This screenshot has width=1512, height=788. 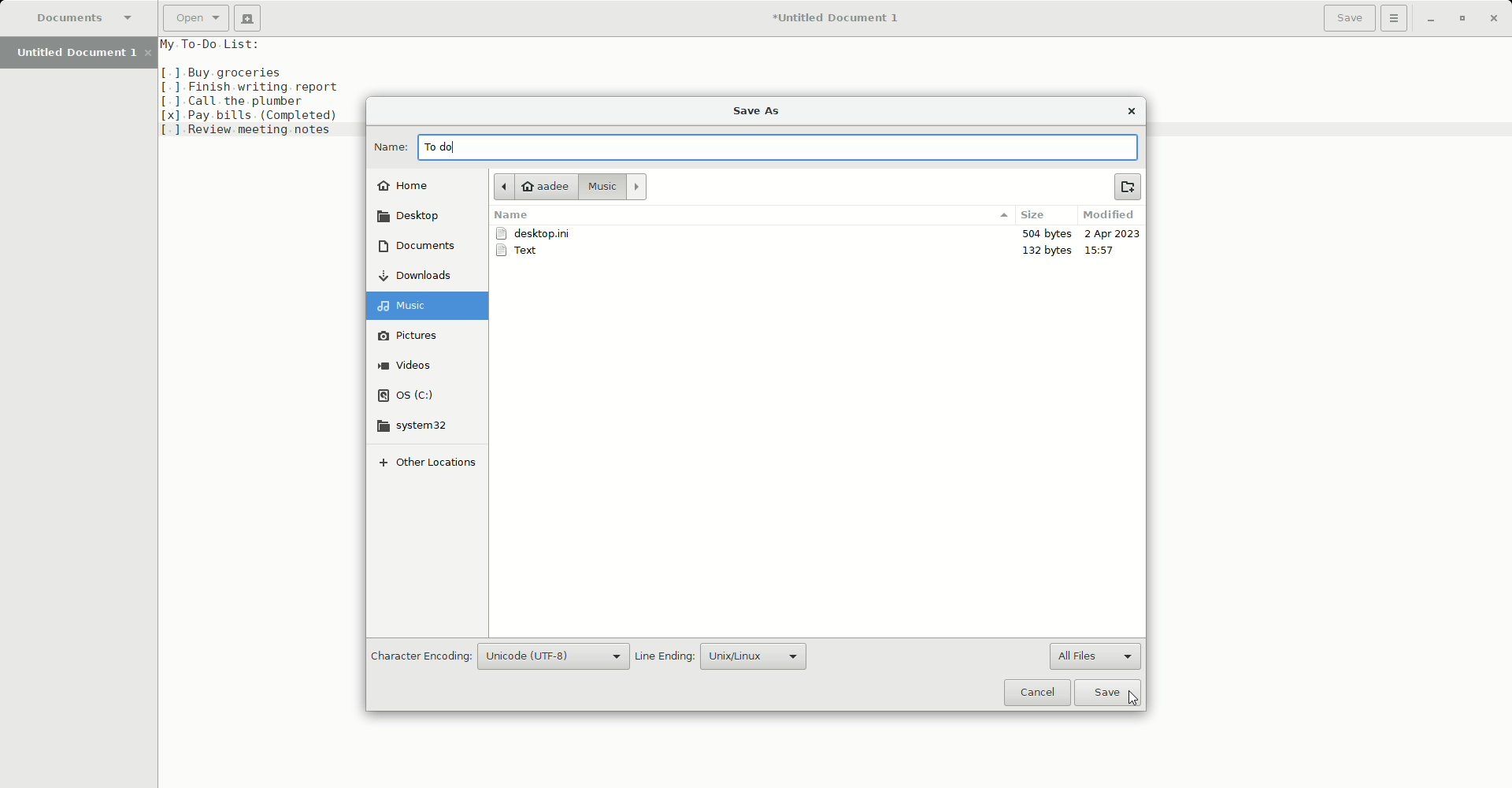 What do you see at coordinates (417, 248) in the screenshot?
I see `Documents` at bounding box center [417, 248].